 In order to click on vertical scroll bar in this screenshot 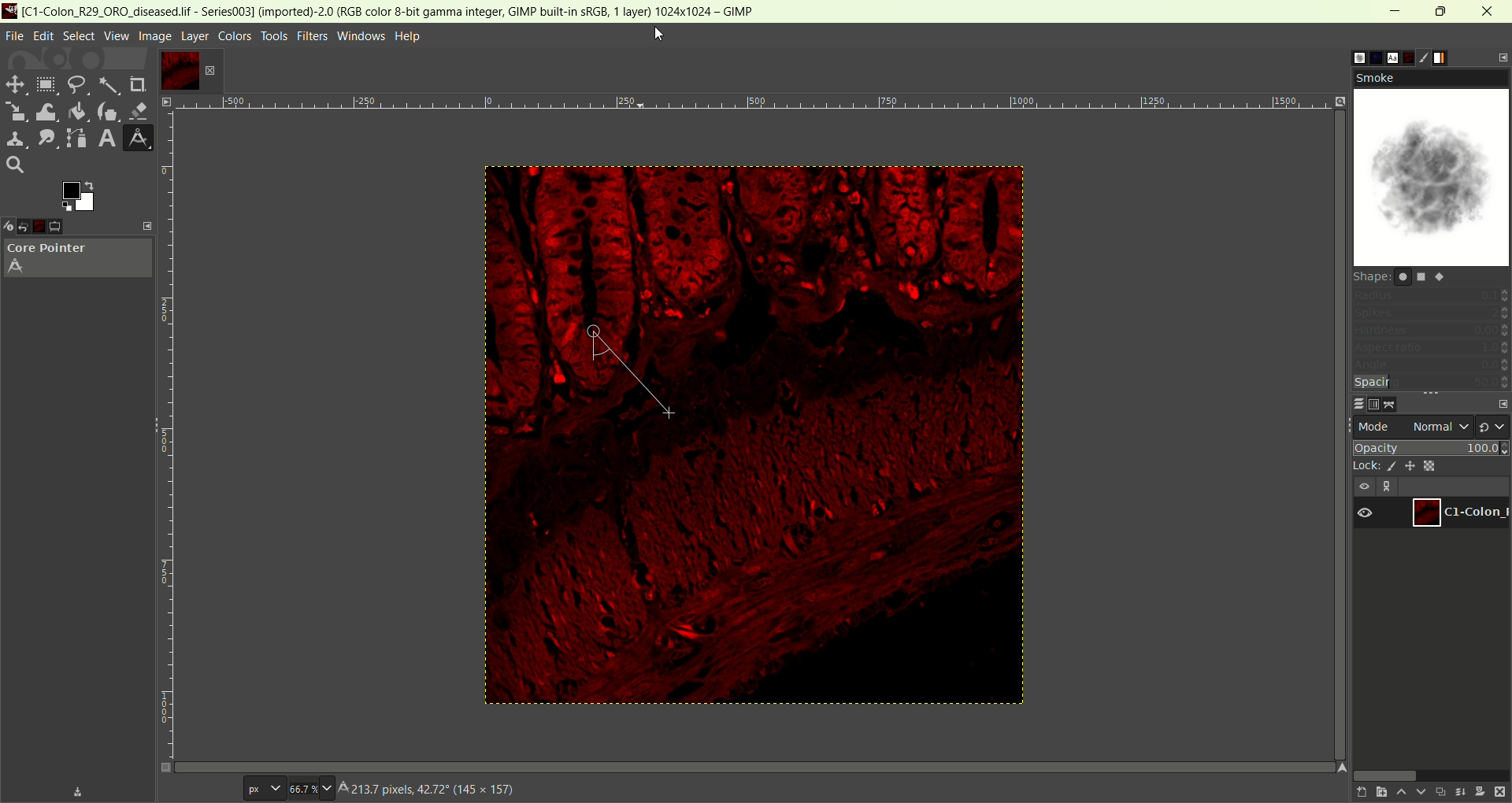, I will do `click(1329, 267)`.